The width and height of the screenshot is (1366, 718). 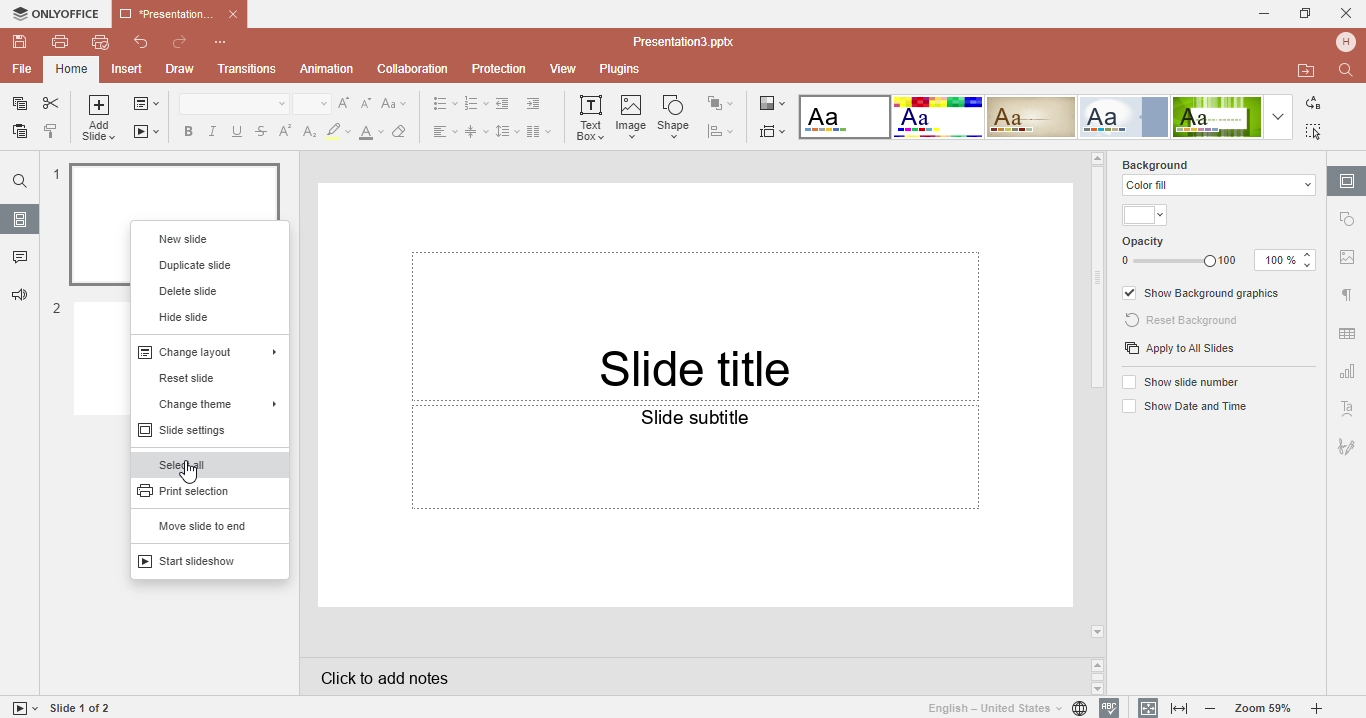 I want to click on Apply to all slides, so click(x=1180, y=350).